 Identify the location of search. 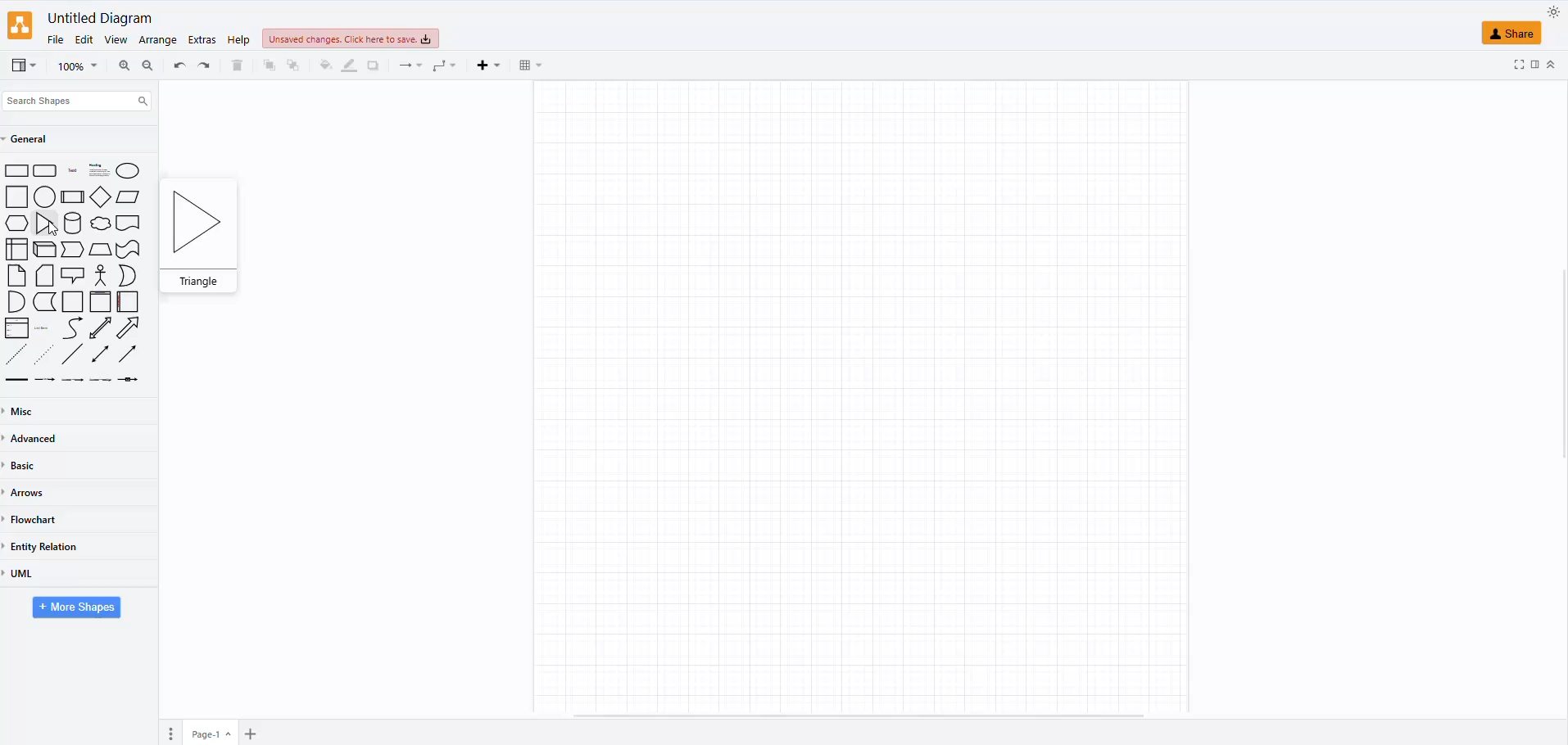
(79, 97).